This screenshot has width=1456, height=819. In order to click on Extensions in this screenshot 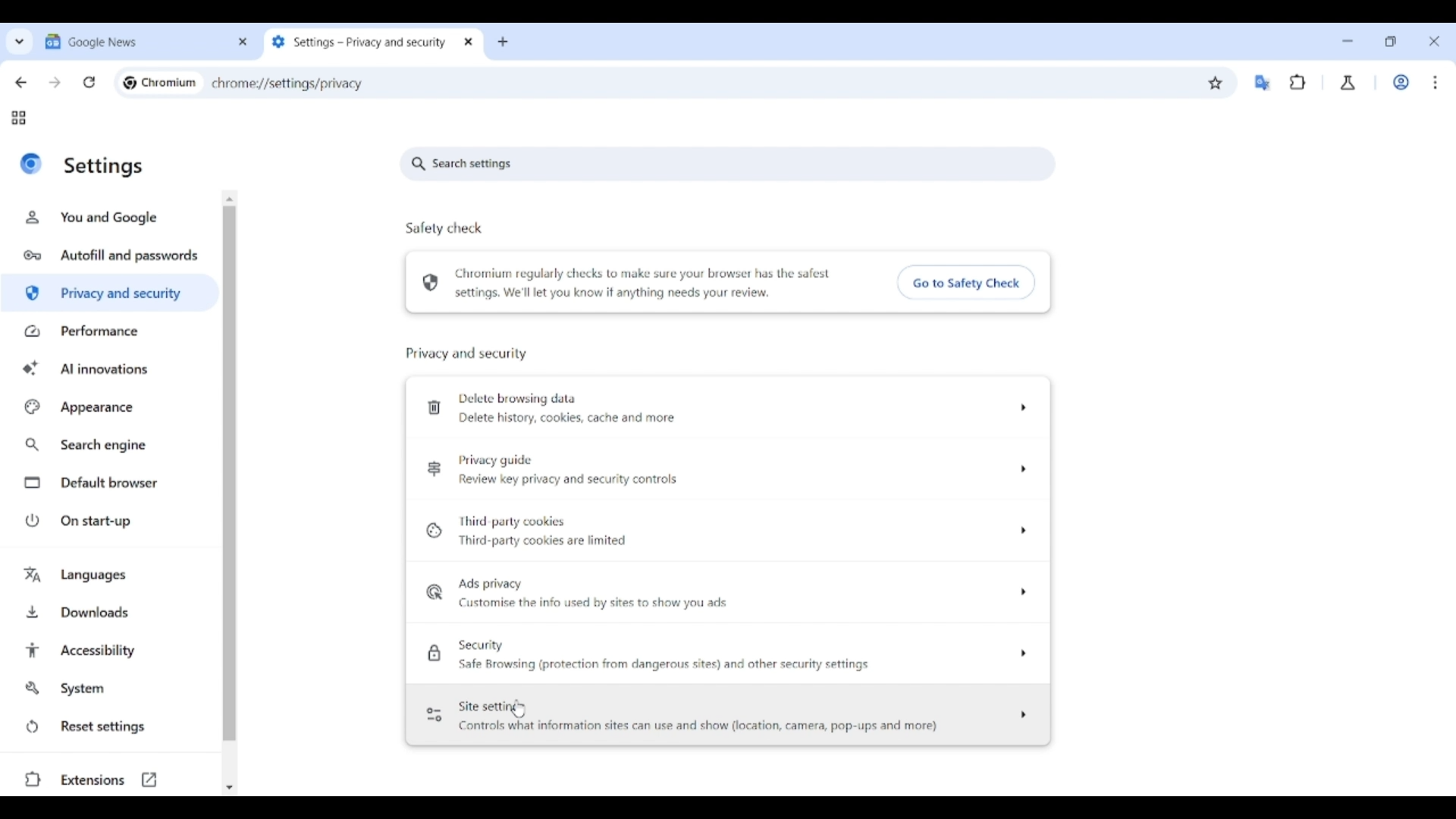, I will do `click(108, 780)`.